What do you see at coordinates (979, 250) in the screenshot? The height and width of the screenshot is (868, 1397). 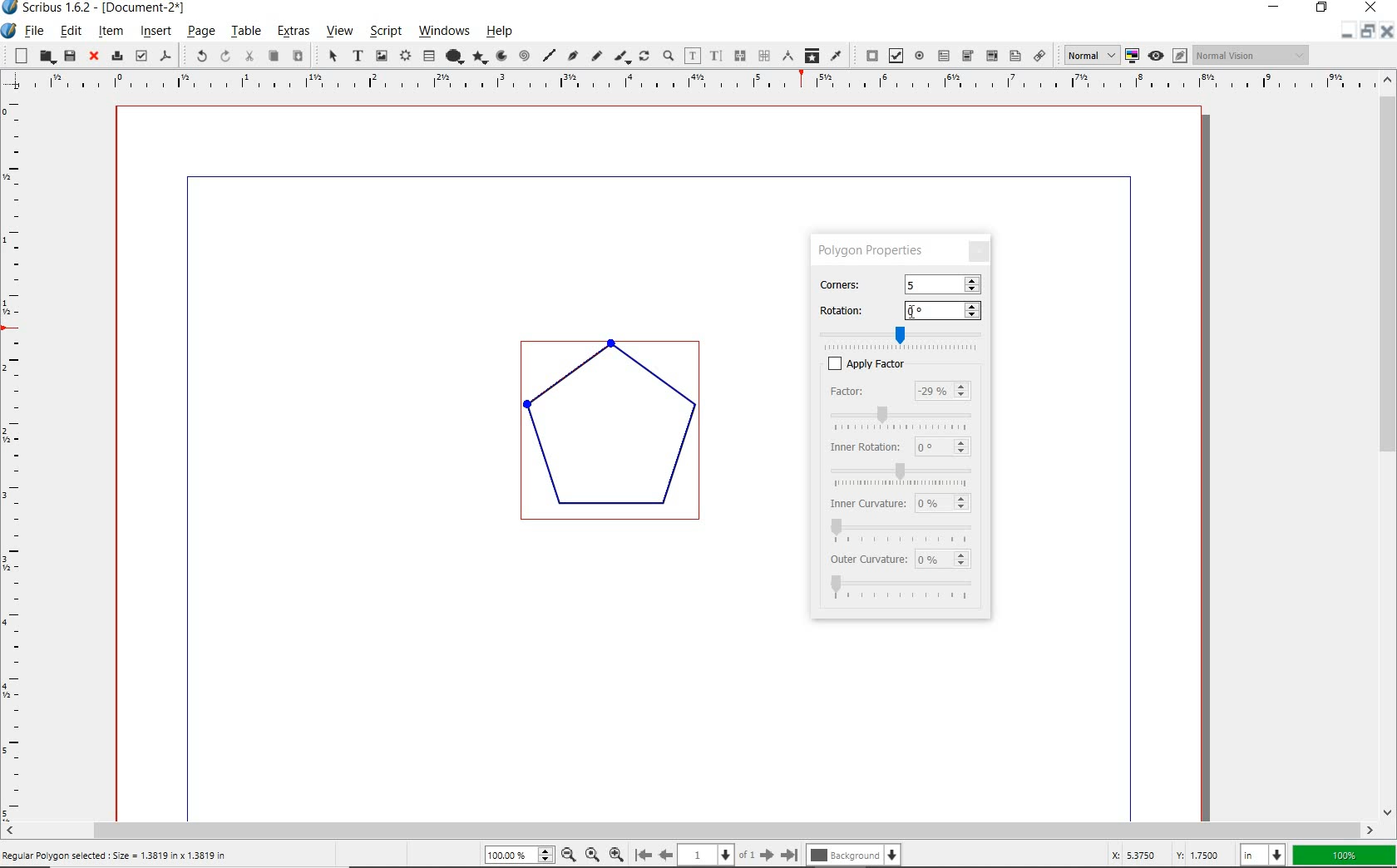 I see `CLOSE` at bounding box center [979, 250].